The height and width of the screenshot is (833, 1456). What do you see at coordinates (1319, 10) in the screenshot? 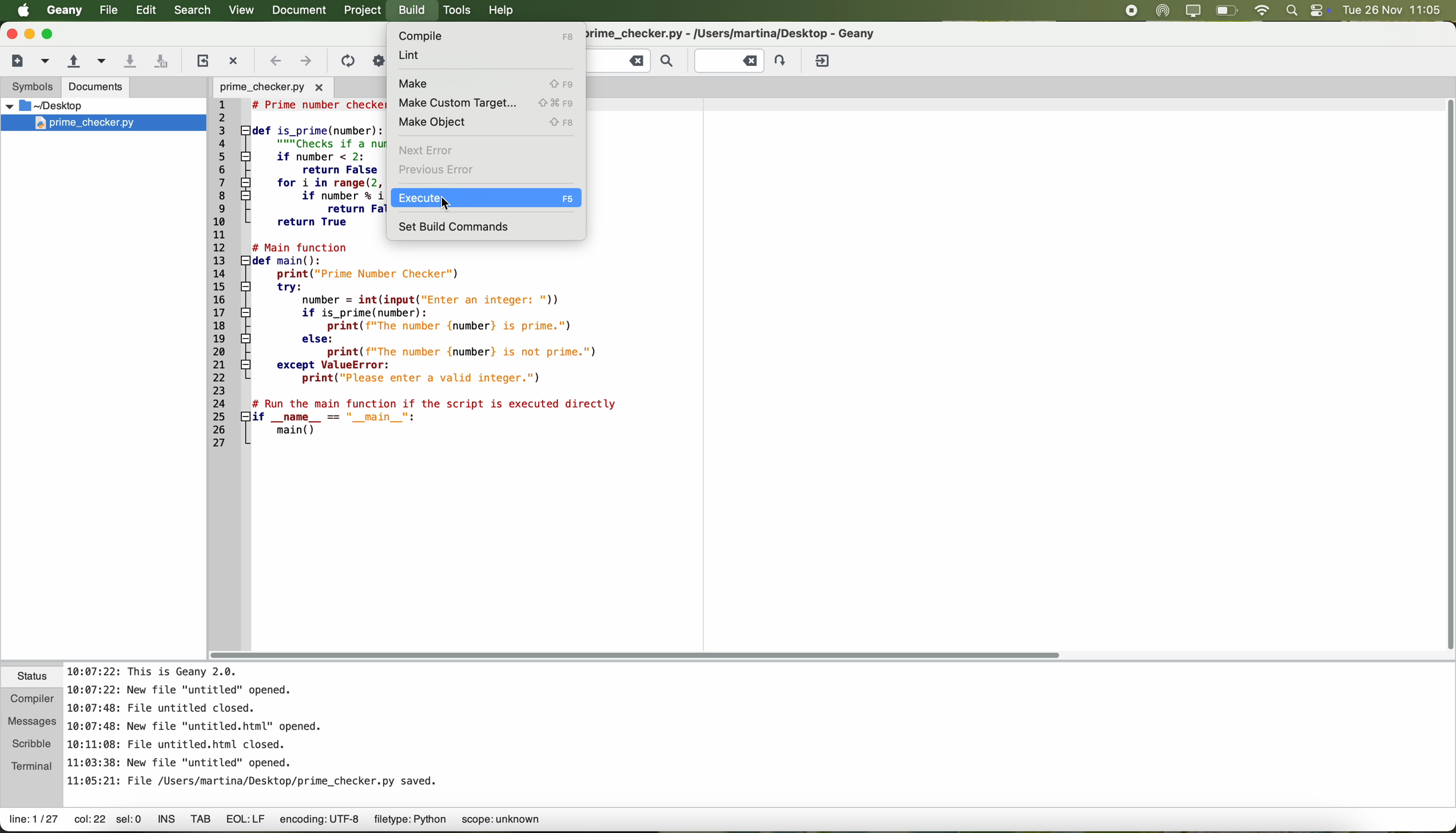
I see `controls` at bounding box center [1319, 10].